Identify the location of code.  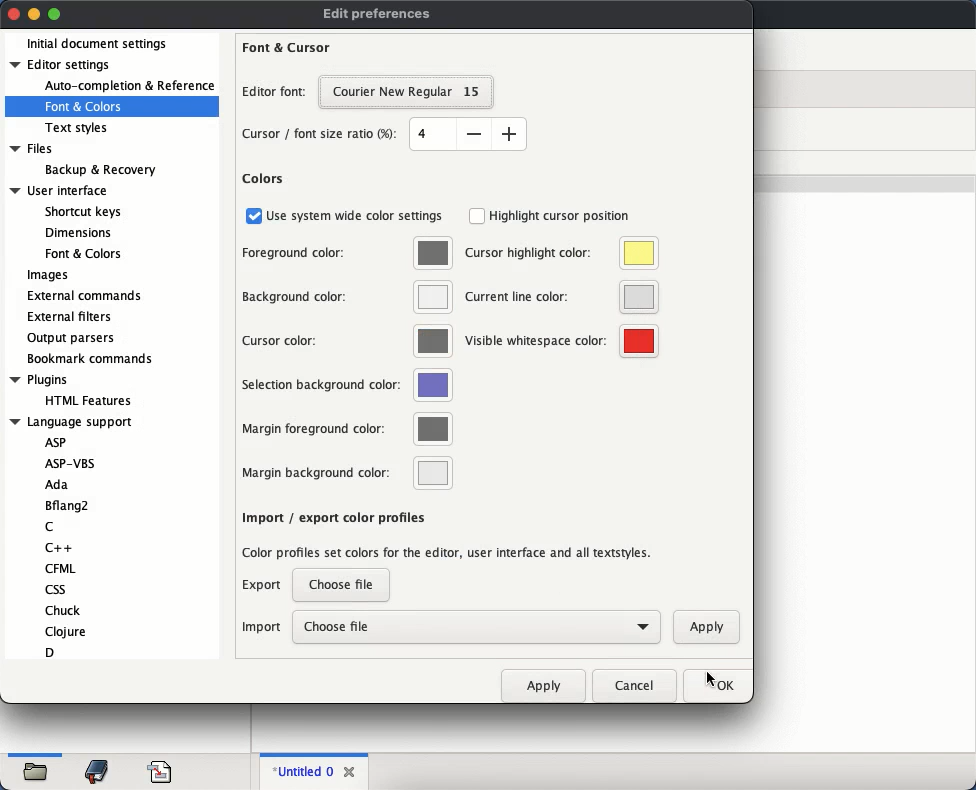
(160, 770).